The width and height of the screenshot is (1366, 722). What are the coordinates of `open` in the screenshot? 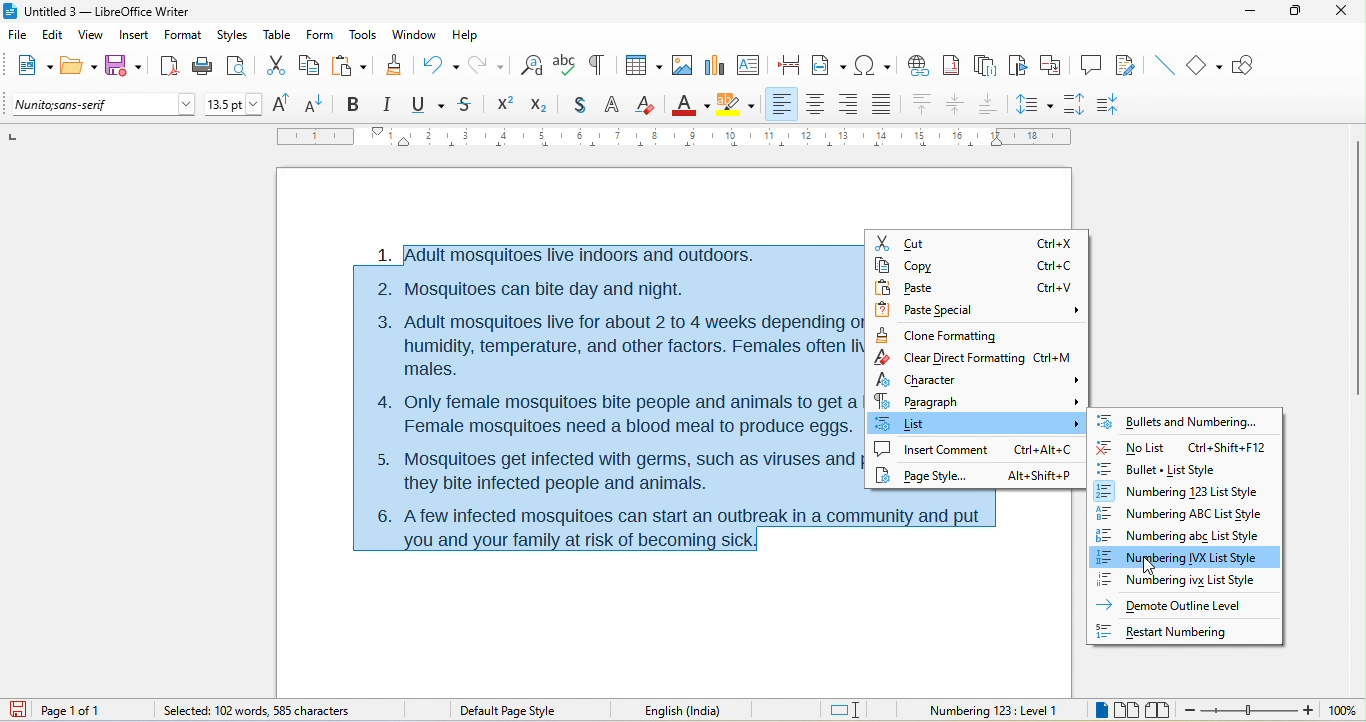 It's located at (79, 67).